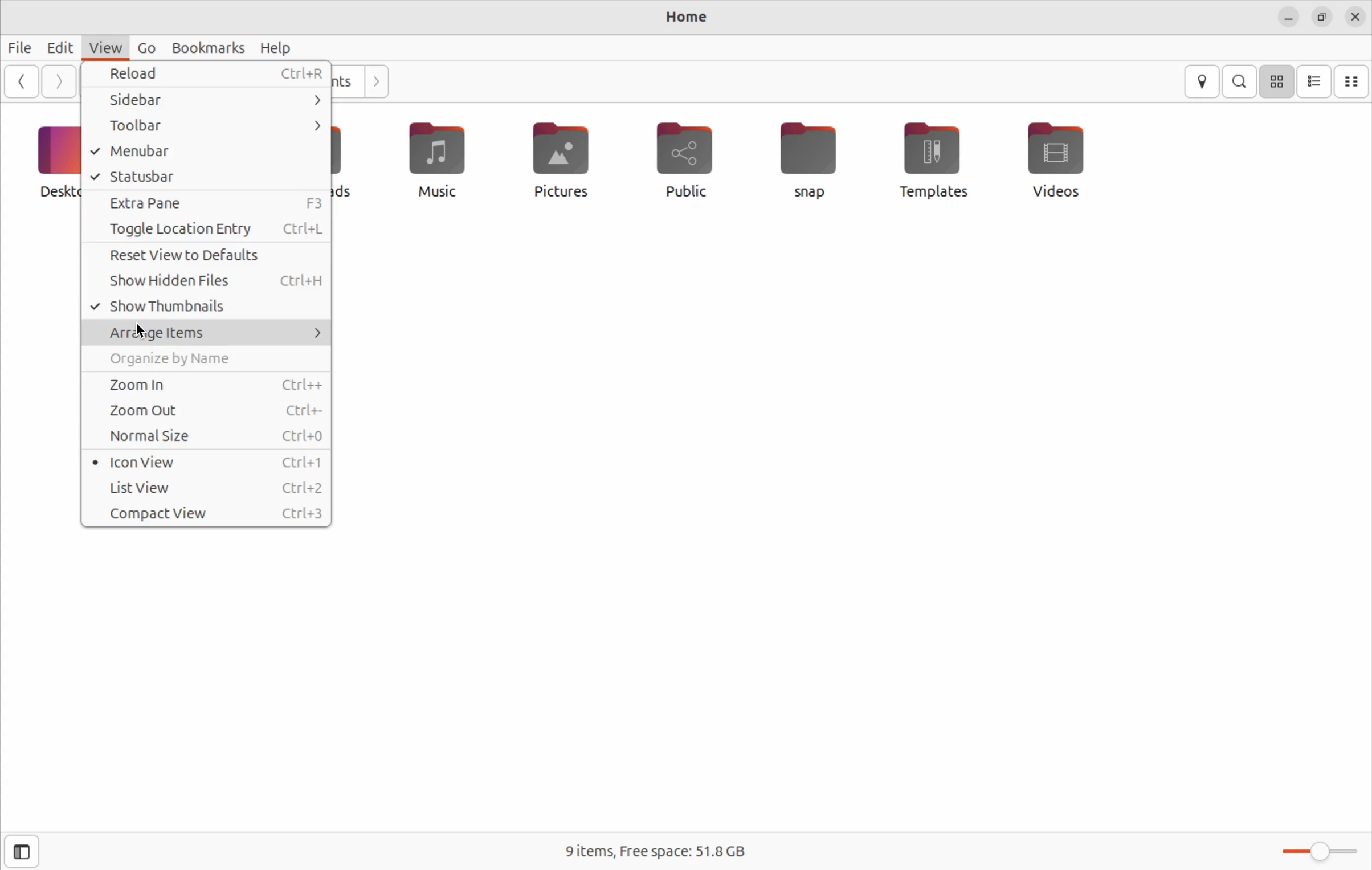 This screenshot has height=870, width=1372. Describe the element at coordinates (208, 306) in the screenshot. I see `show thumb nails` at that location.